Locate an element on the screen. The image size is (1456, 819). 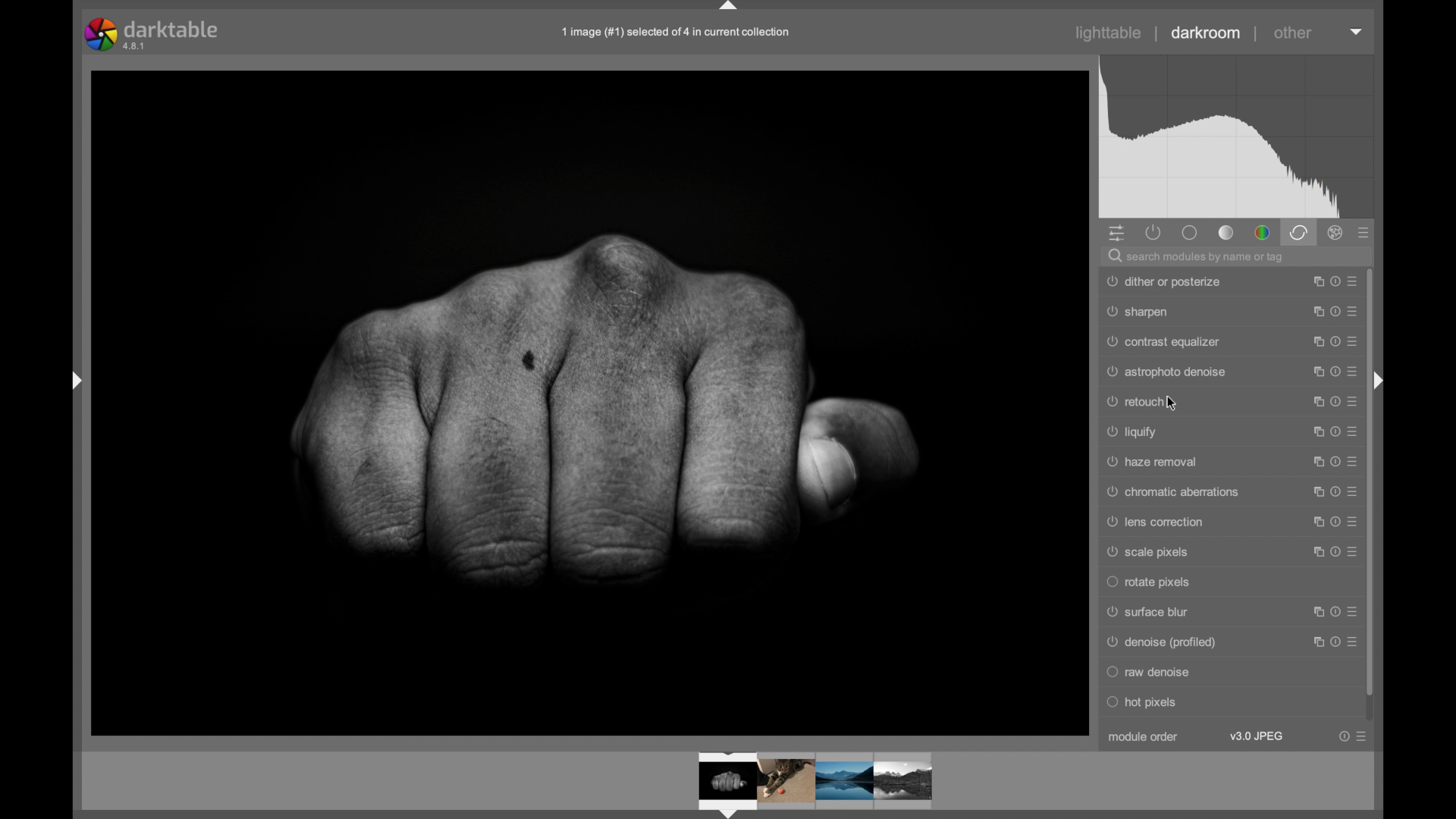
maximize is located at coordinates (1313, 403).